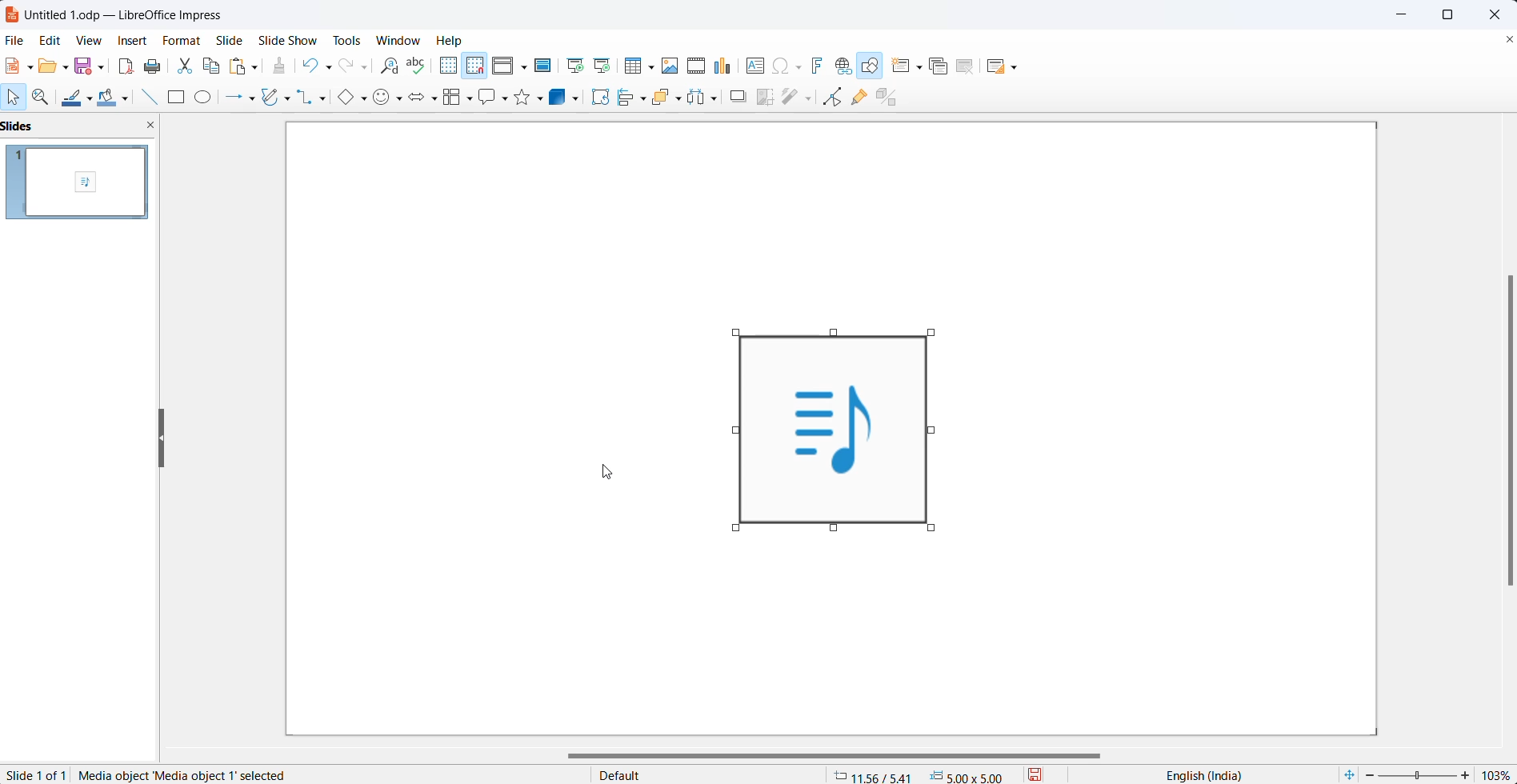 The width and height of the screenshot is (1517, 784). Describe the element at coordinates (708, 774) in the screenshot. I see `slide master name` at that location.